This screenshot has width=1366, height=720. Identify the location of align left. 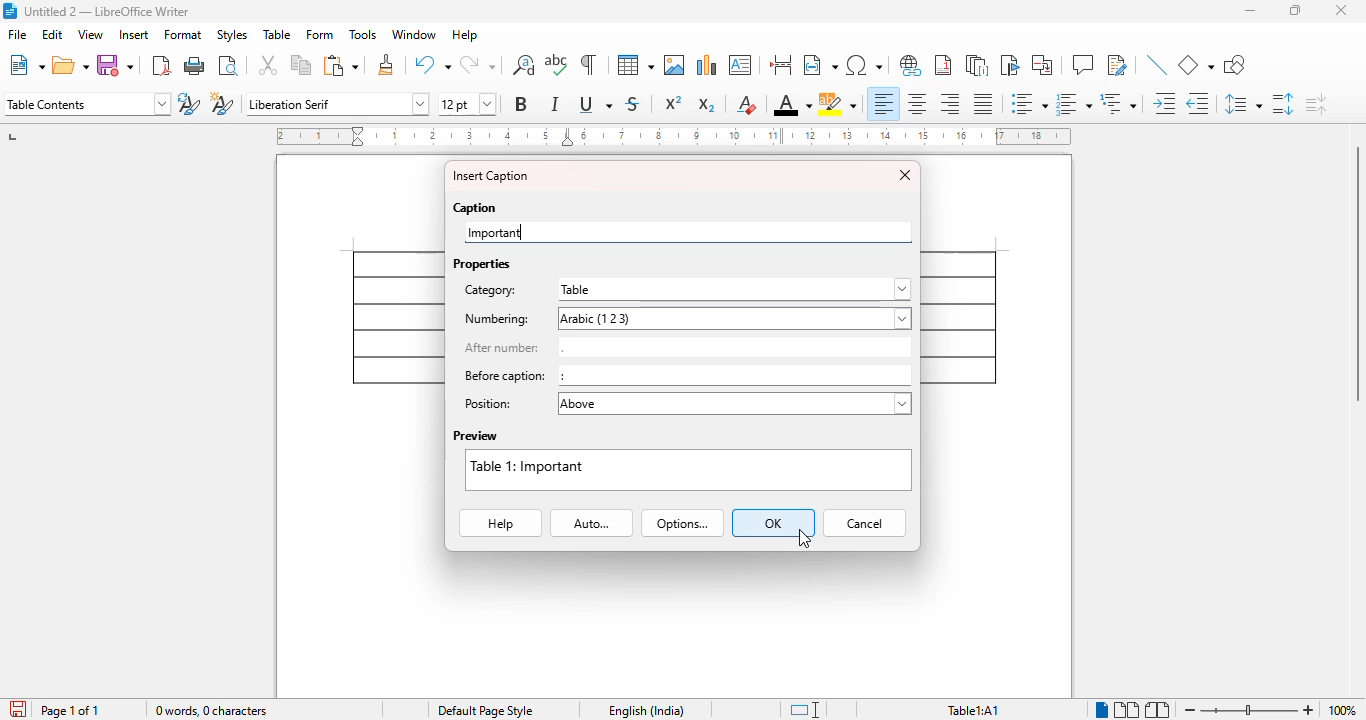
(884, 104).